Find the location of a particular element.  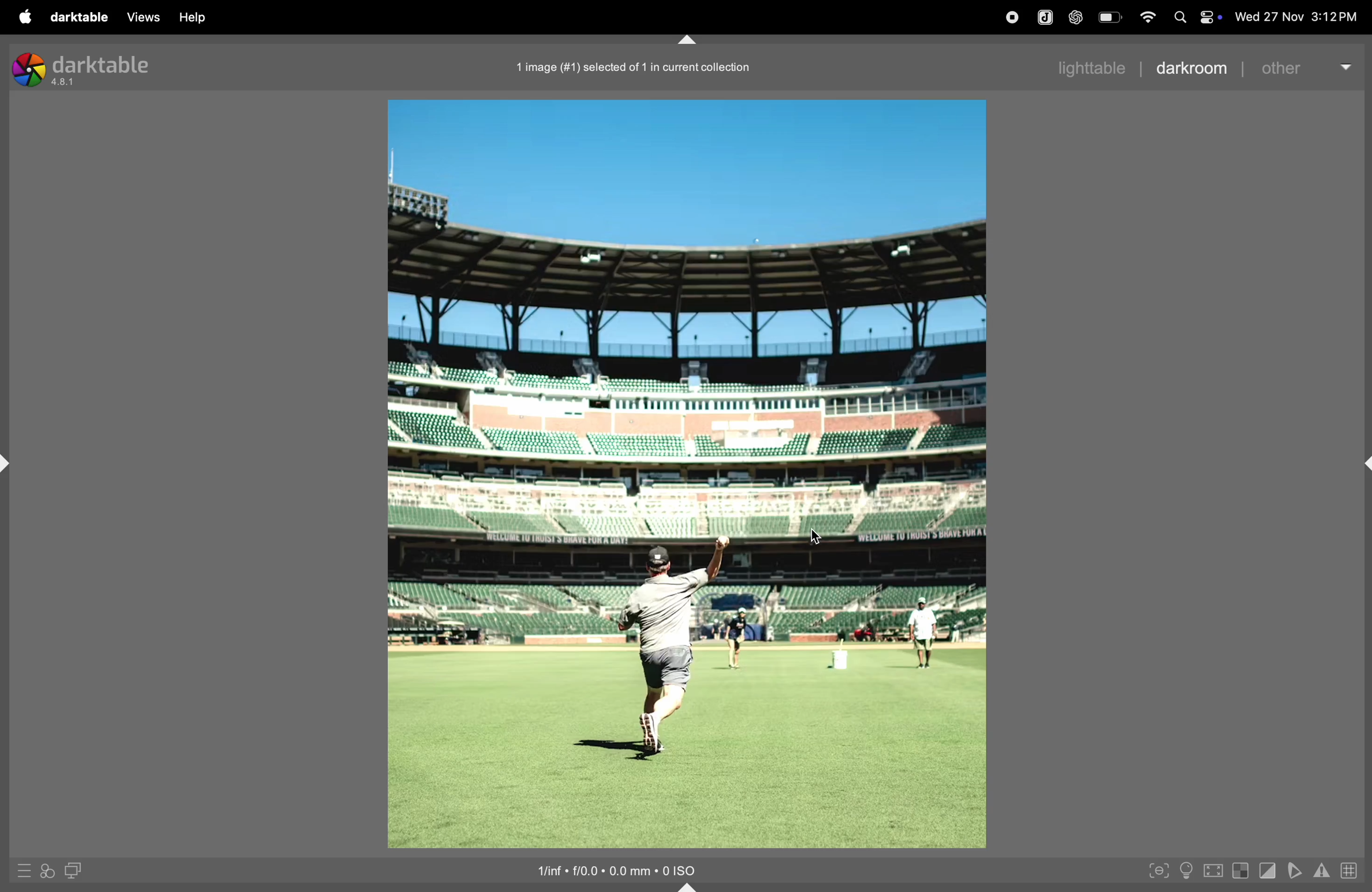

shift+ctrl+l is located at coordinates (9, 460).